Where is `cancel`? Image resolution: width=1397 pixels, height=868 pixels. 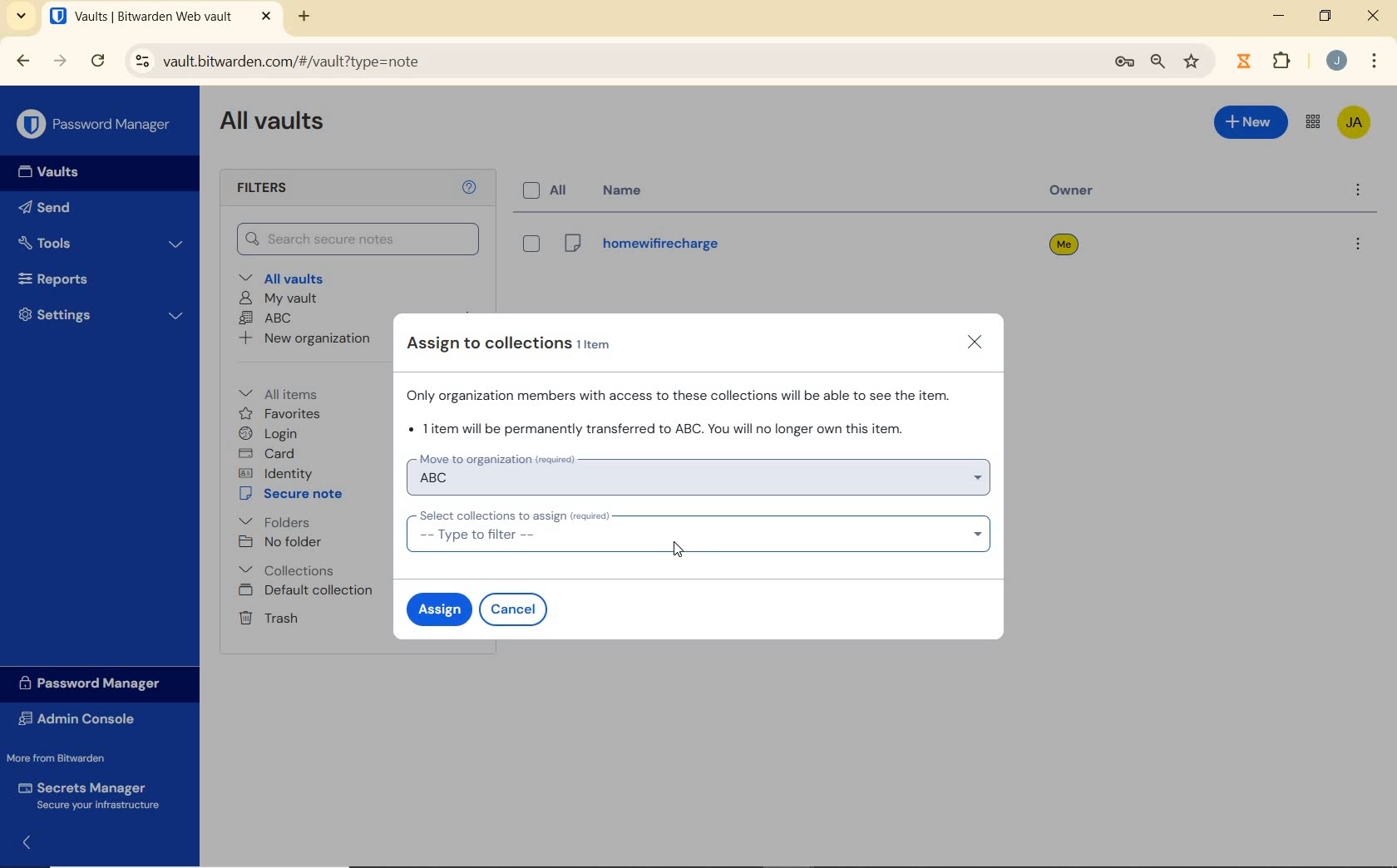 cancel is located at coordinates (516, 610).